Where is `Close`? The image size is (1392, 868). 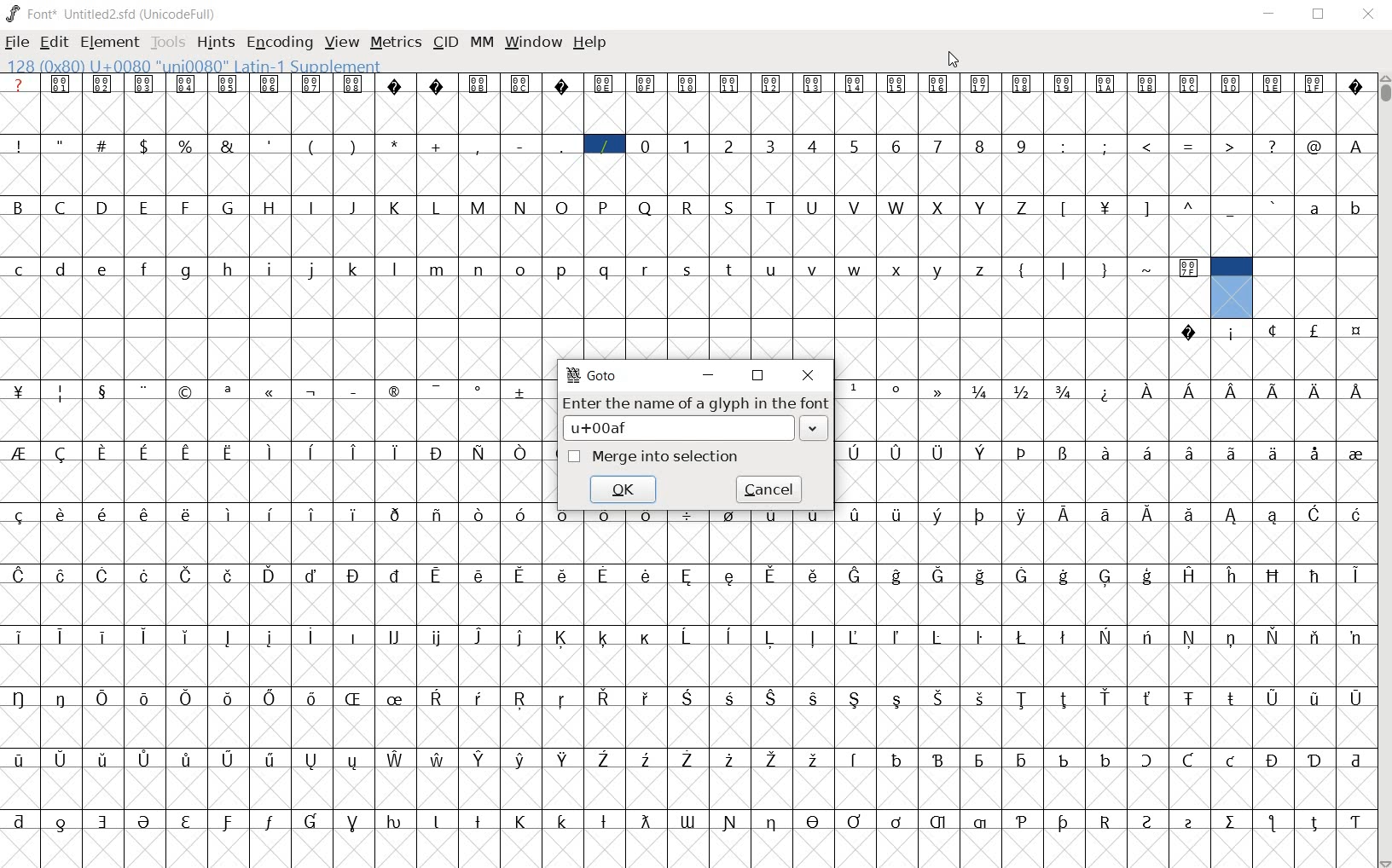 Close is located at coordinates (1368, 14).